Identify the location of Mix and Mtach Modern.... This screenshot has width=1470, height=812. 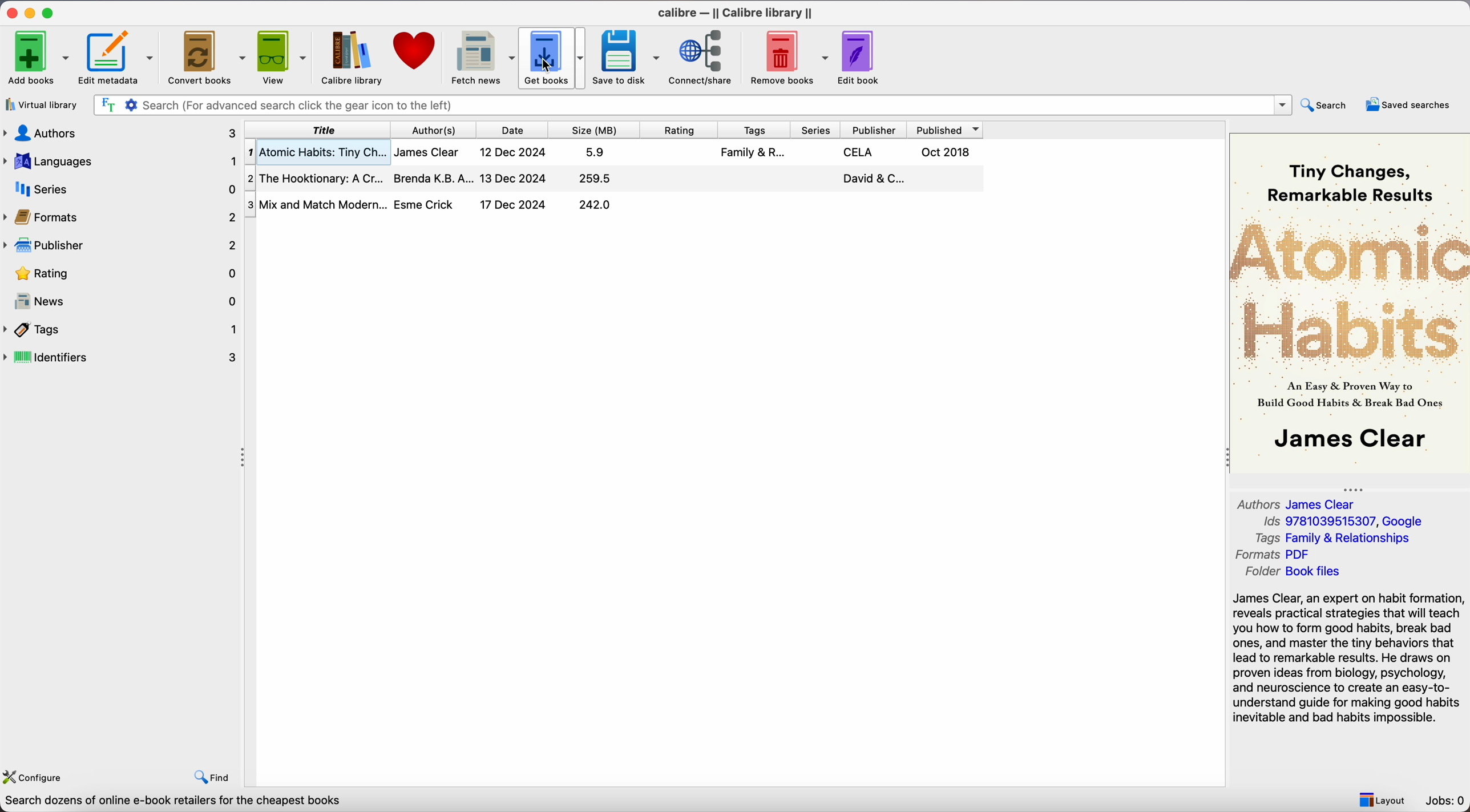
(315, 204).